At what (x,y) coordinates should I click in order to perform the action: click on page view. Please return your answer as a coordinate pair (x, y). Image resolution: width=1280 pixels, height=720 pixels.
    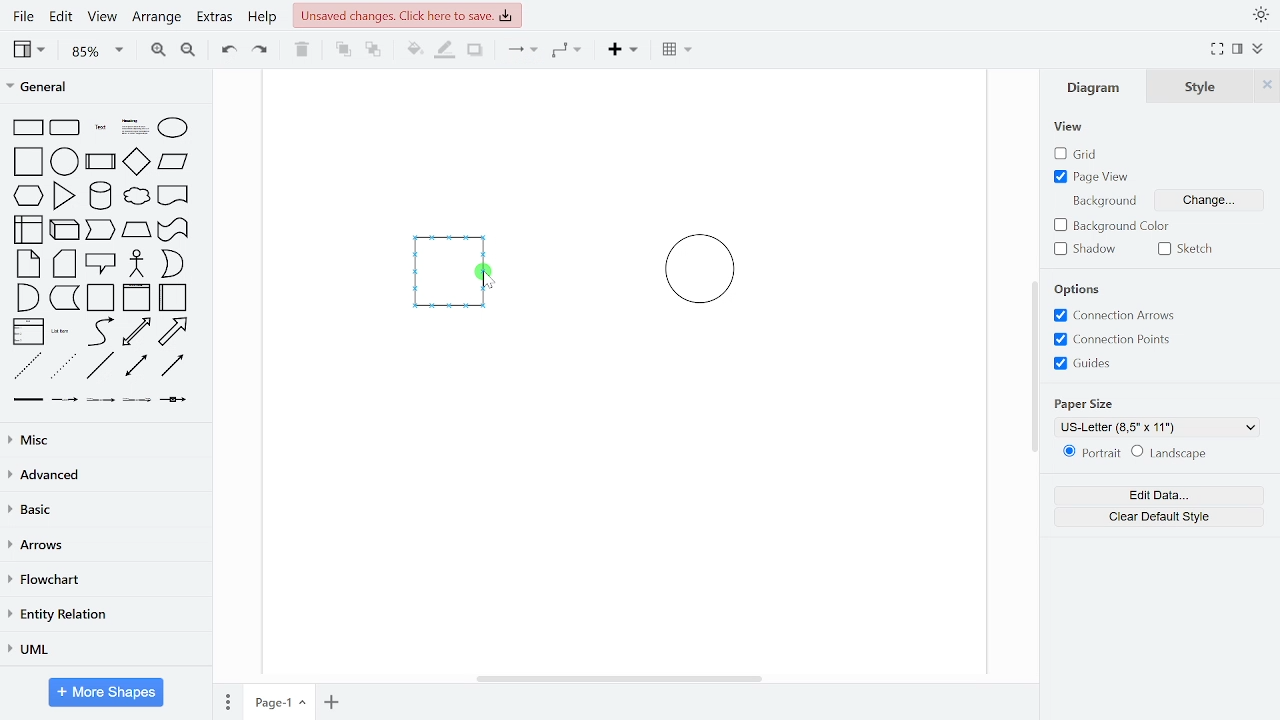
    Looking at the image, I should click on (1094, 176).